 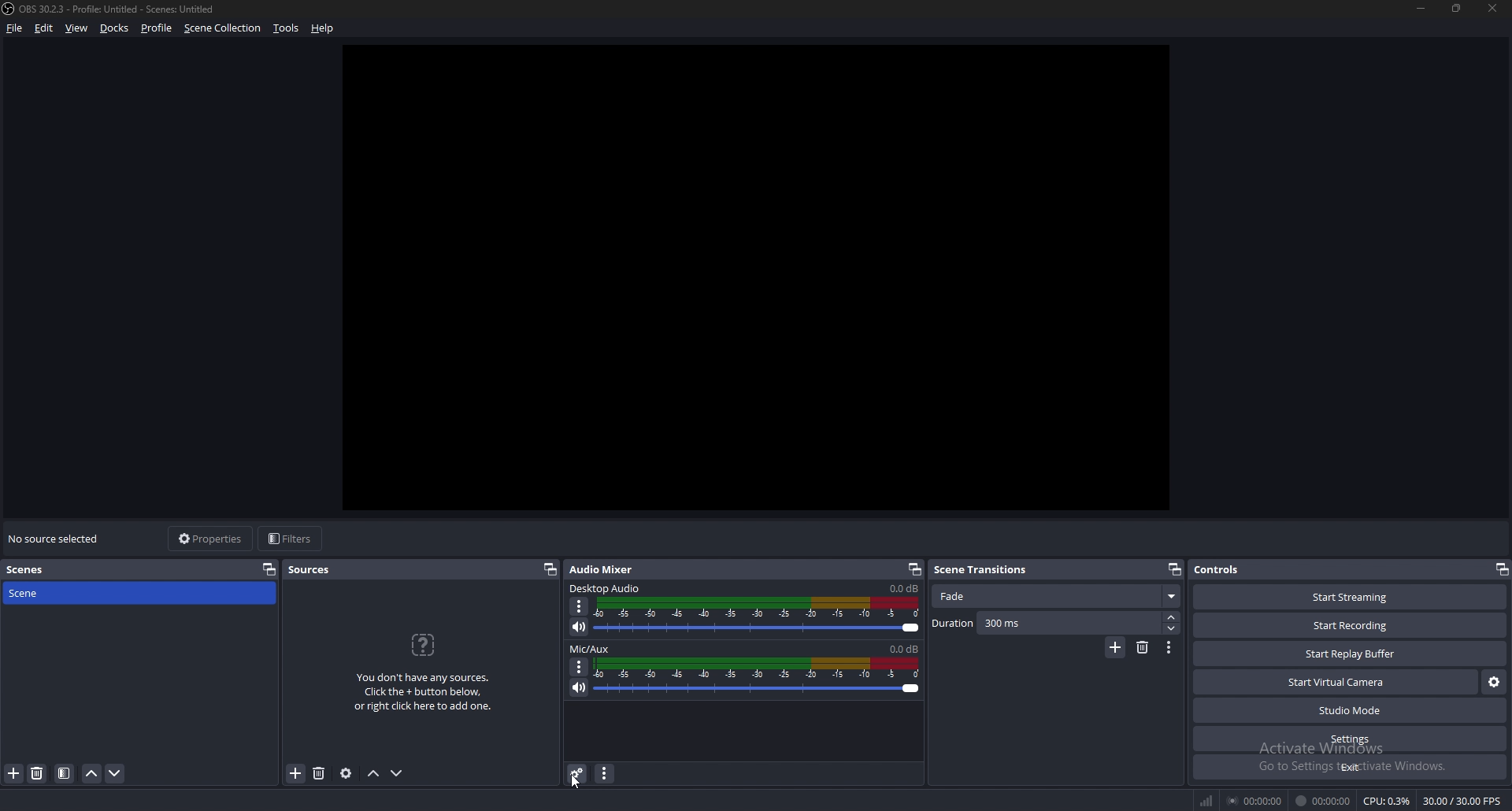 What do you see at coordinates (606, 774) in the screenshot?
I see `audio mixer properties` at bounding box center [606, 774].